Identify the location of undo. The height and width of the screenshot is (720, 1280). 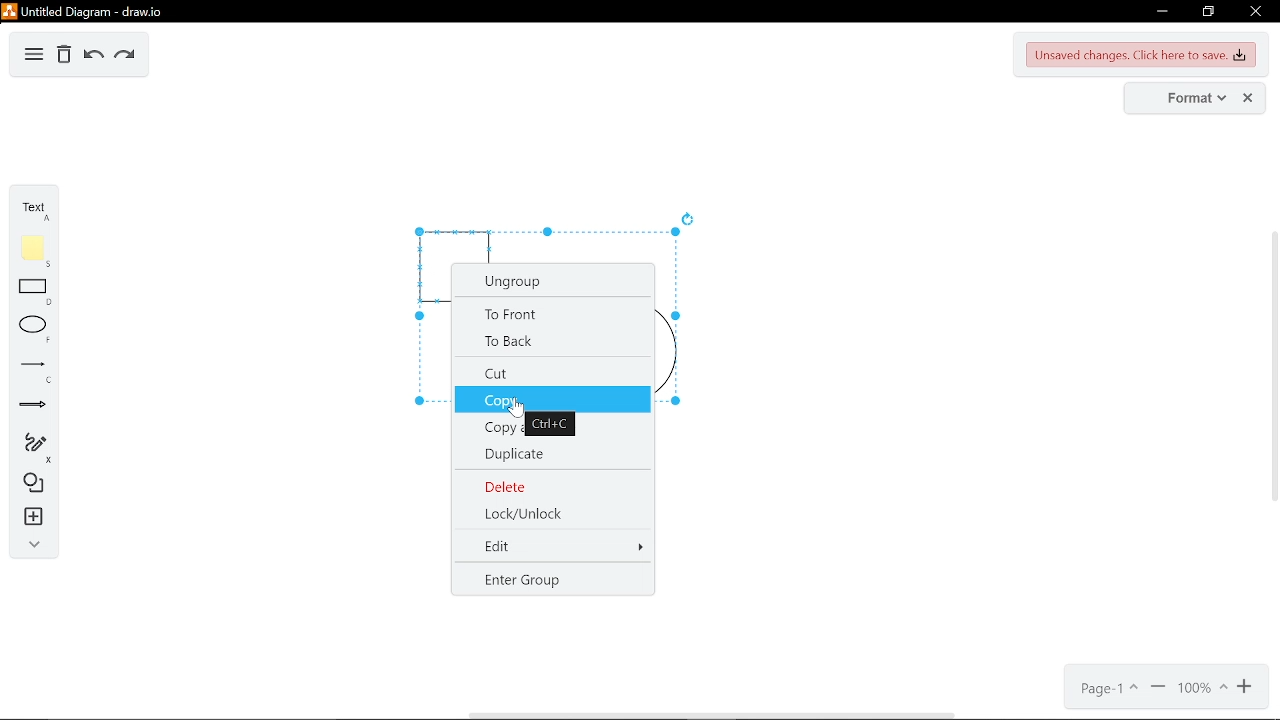
(91, 56).